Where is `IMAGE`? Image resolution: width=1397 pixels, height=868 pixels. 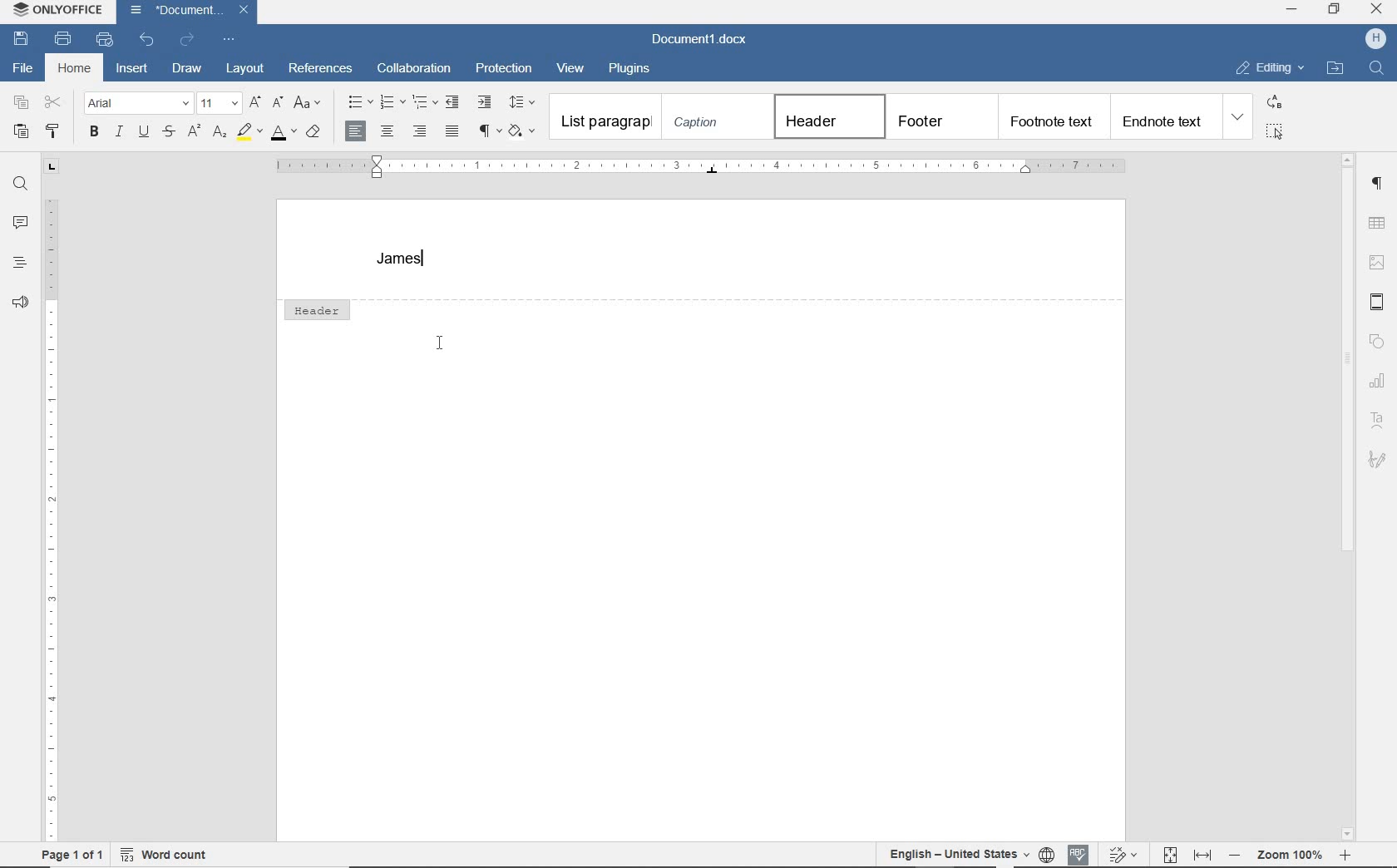
IMAGE is located at coordinates (1378, 262).